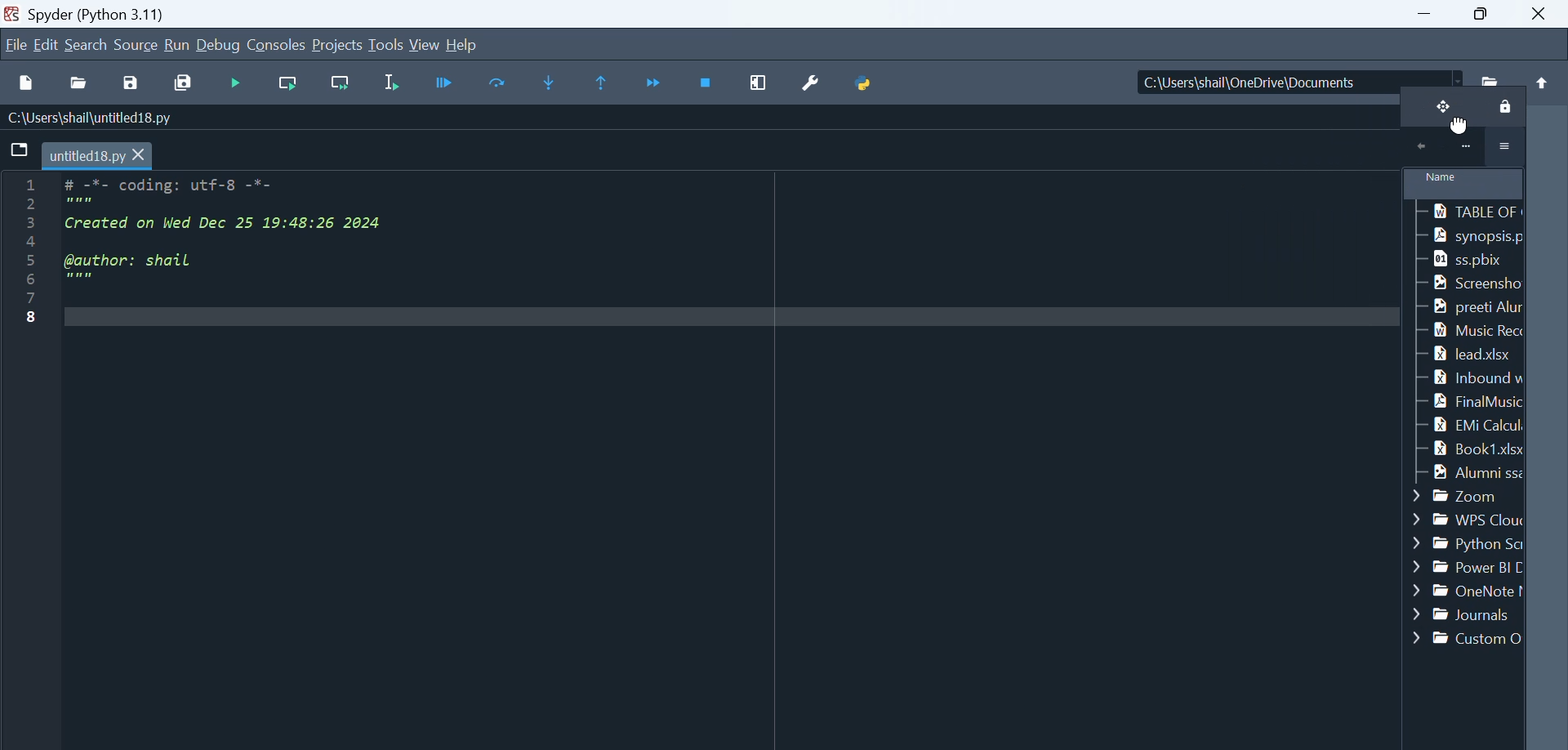 Image resolution: width=1568 pixels, height=750 pixels. Describe the element at coordinates (1471, 330) in the screenshot. I see `Music Rec..` at that location.